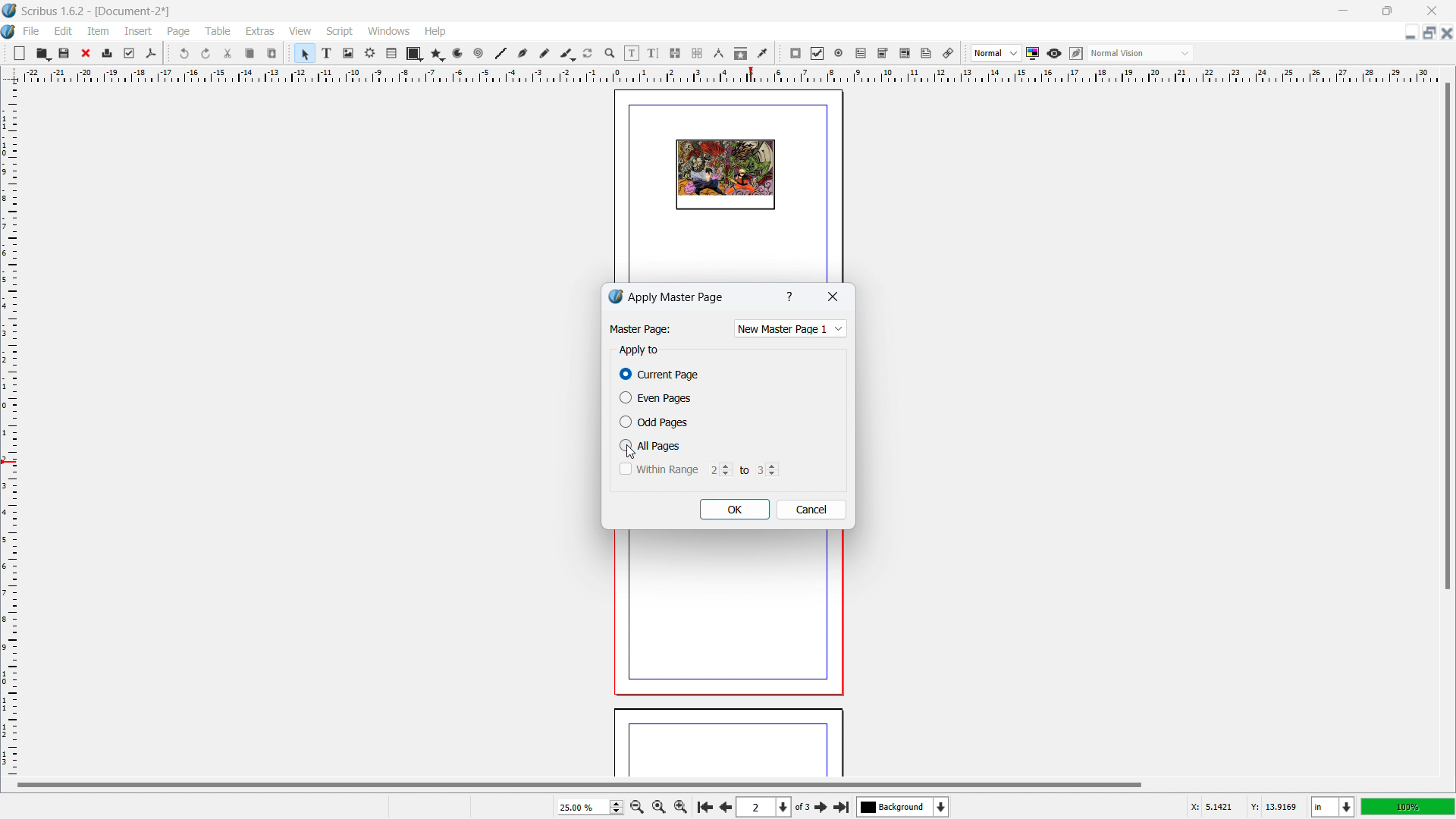  I want to click on zoom in/out, so click(610, 54).